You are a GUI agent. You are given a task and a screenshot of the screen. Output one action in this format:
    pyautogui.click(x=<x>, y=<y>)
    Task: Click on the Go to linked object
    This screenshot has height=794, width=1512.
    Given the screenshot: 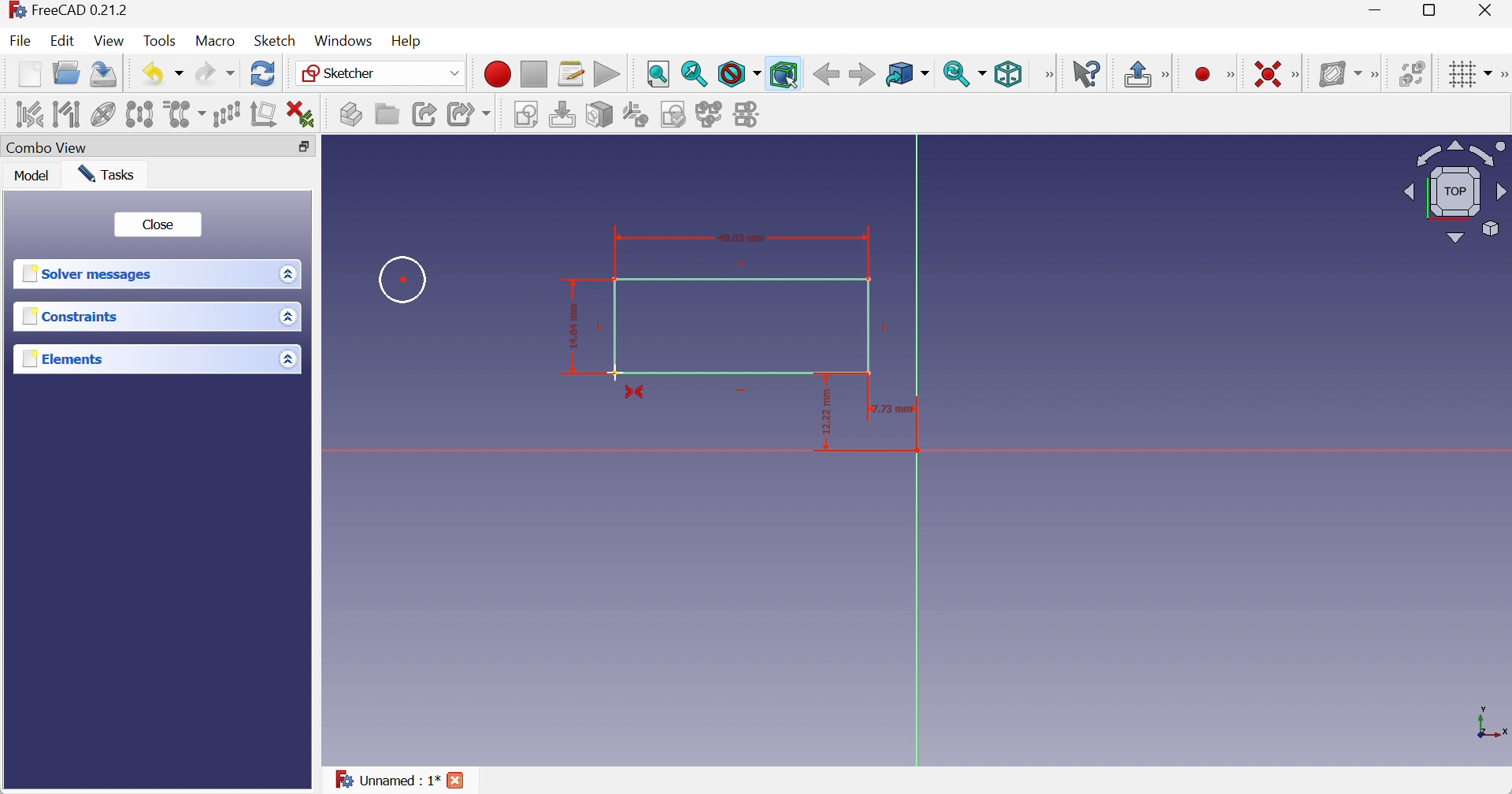 What is the action you would take?
    pyautogui.click(x=907, y=75)
    